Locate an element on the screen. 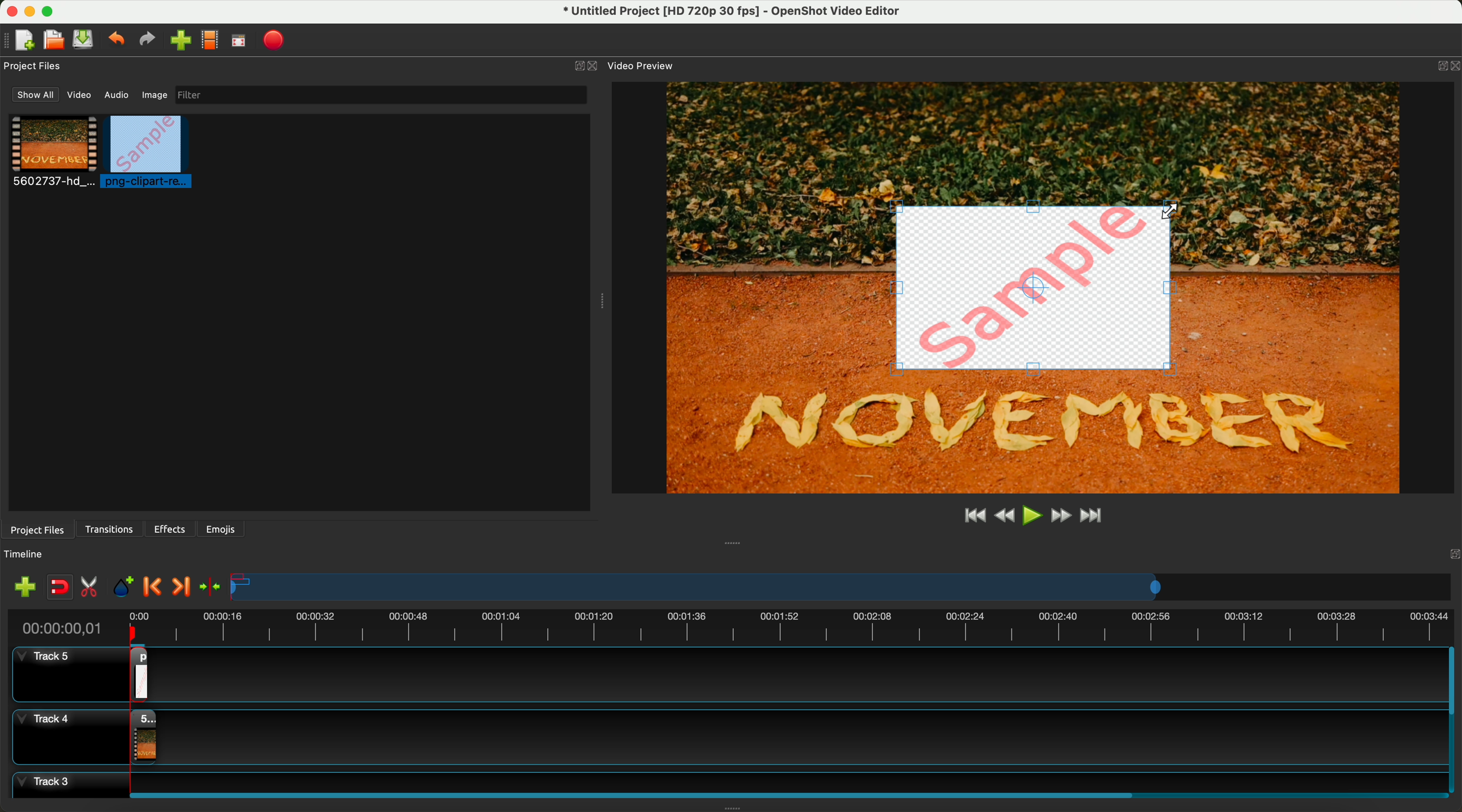  jump to end is located at coordinates (1093, 517).